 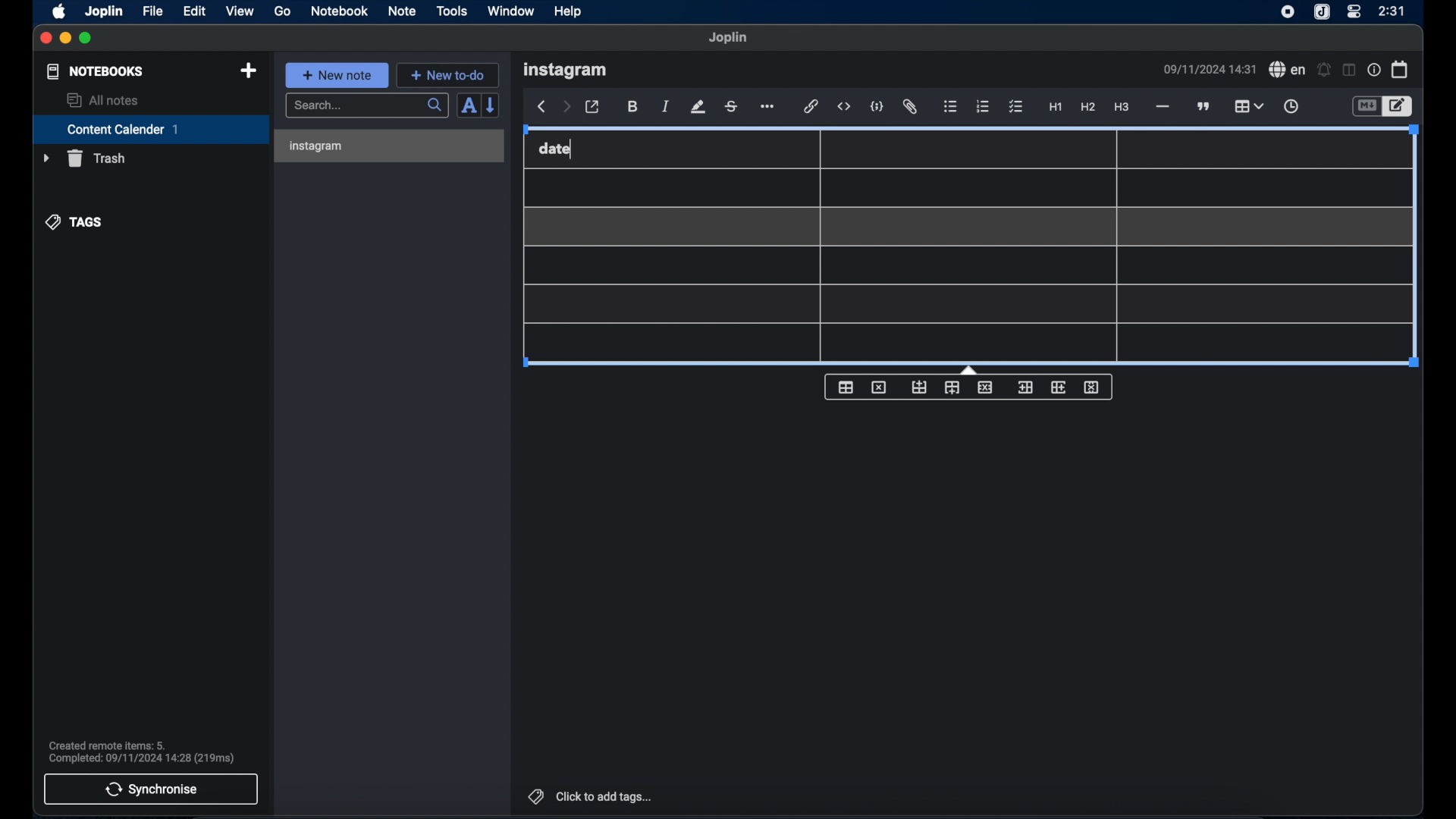 I want to click on window, so click(x=511, y=11).